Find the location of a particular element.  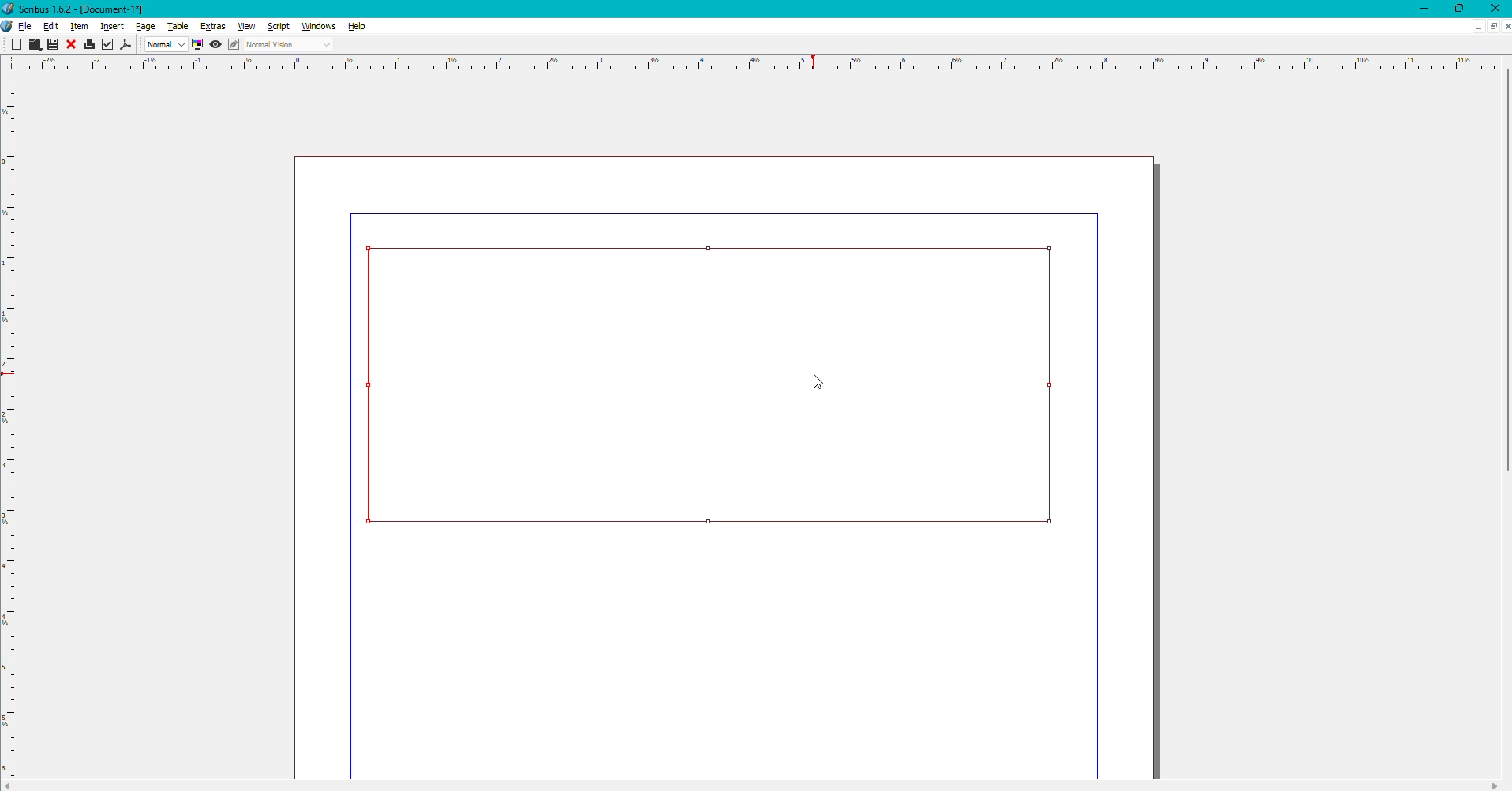

Page is located at coordinates (148, 25).